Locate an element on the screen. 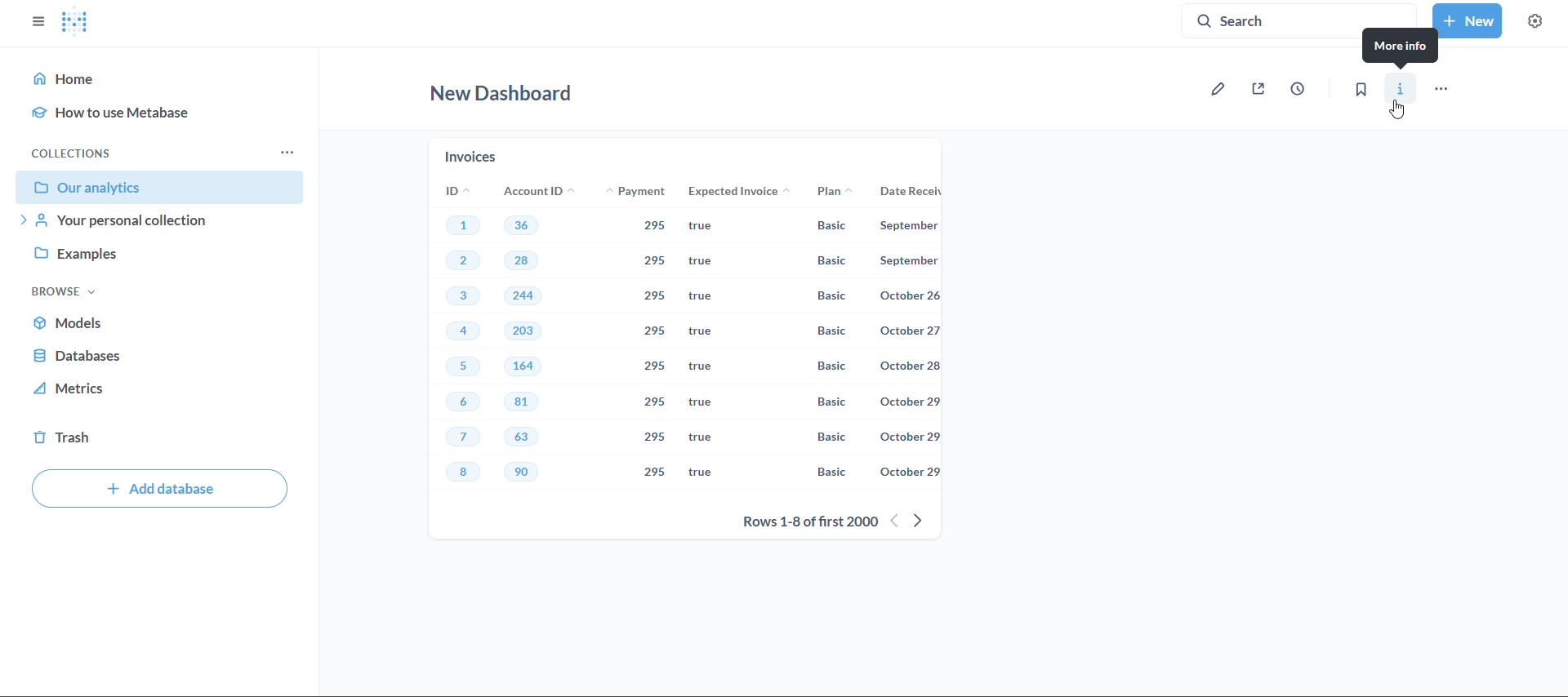 The image size is (1568, 697). basic is located at coordinates (831, 263).